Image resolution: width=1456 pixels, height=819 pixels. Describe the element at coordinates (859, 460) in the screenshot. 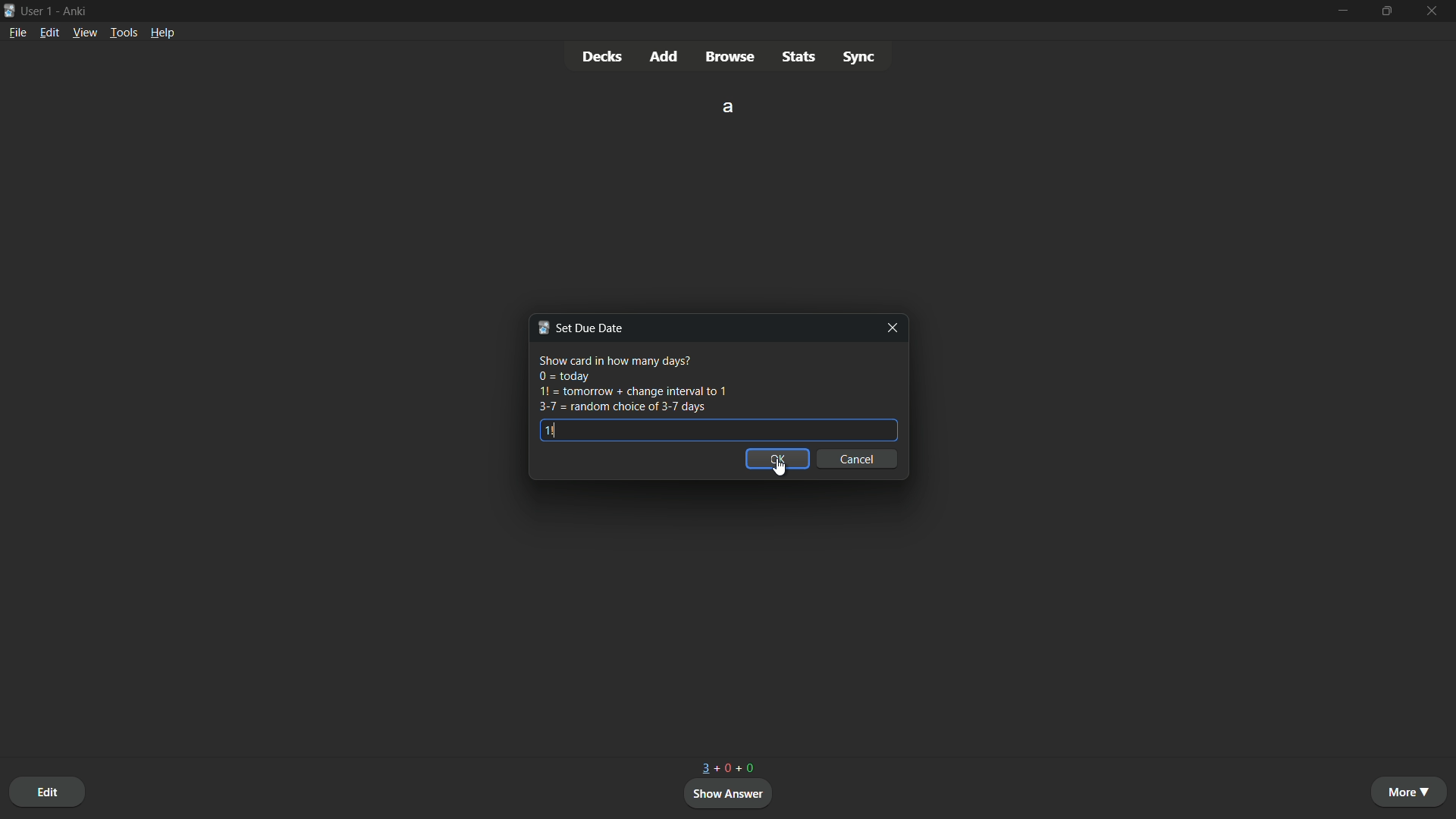

I see `cancel` at that location.